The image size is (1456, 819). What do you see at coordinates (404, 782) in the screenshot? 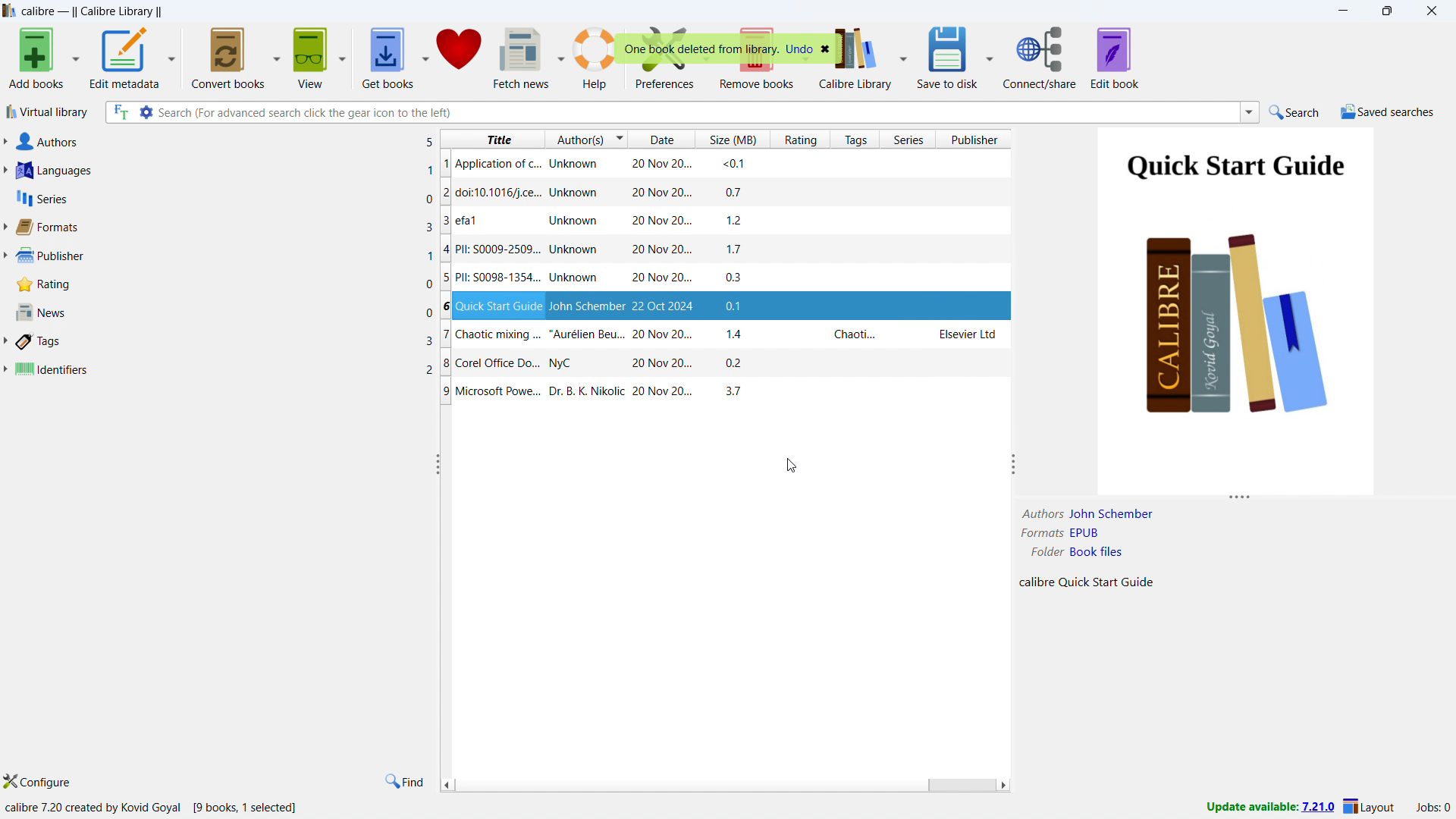
I see `find in tags` at bounding box center [404, 782].